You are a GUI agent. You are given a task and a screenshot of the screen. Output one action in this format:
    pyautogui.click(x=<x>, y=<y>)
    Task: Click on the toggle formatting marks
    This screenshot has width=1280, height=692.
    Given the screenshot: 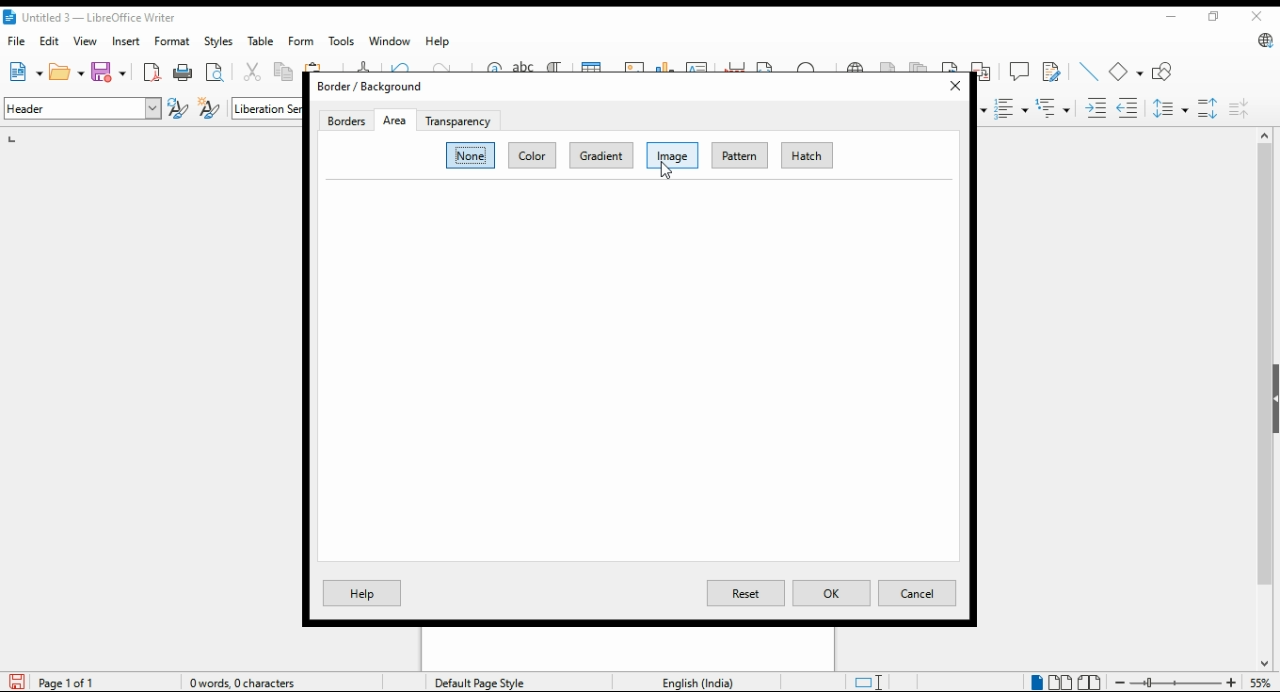 What is the action you would take?
    pyautogui.click(x=554, y=64)
    